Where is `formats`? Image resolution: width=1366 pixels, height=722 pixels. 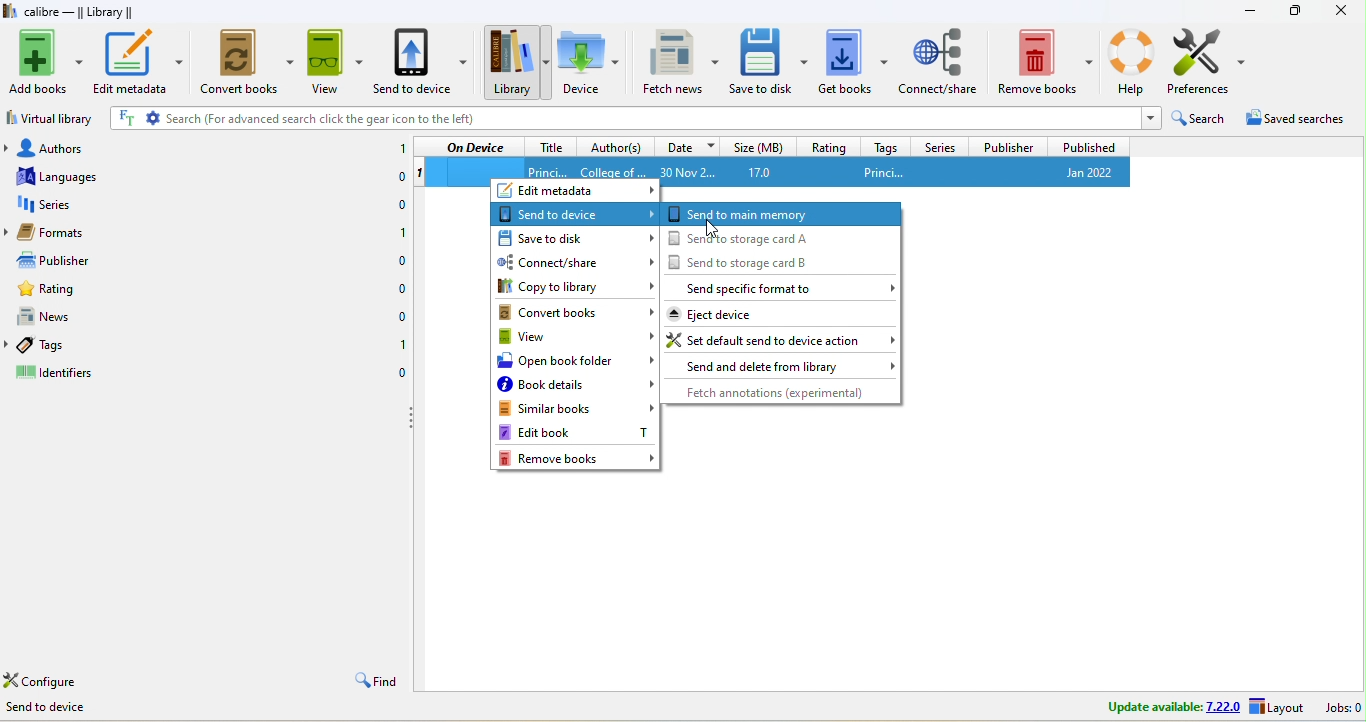 formats is located at coordinates (62, 232).